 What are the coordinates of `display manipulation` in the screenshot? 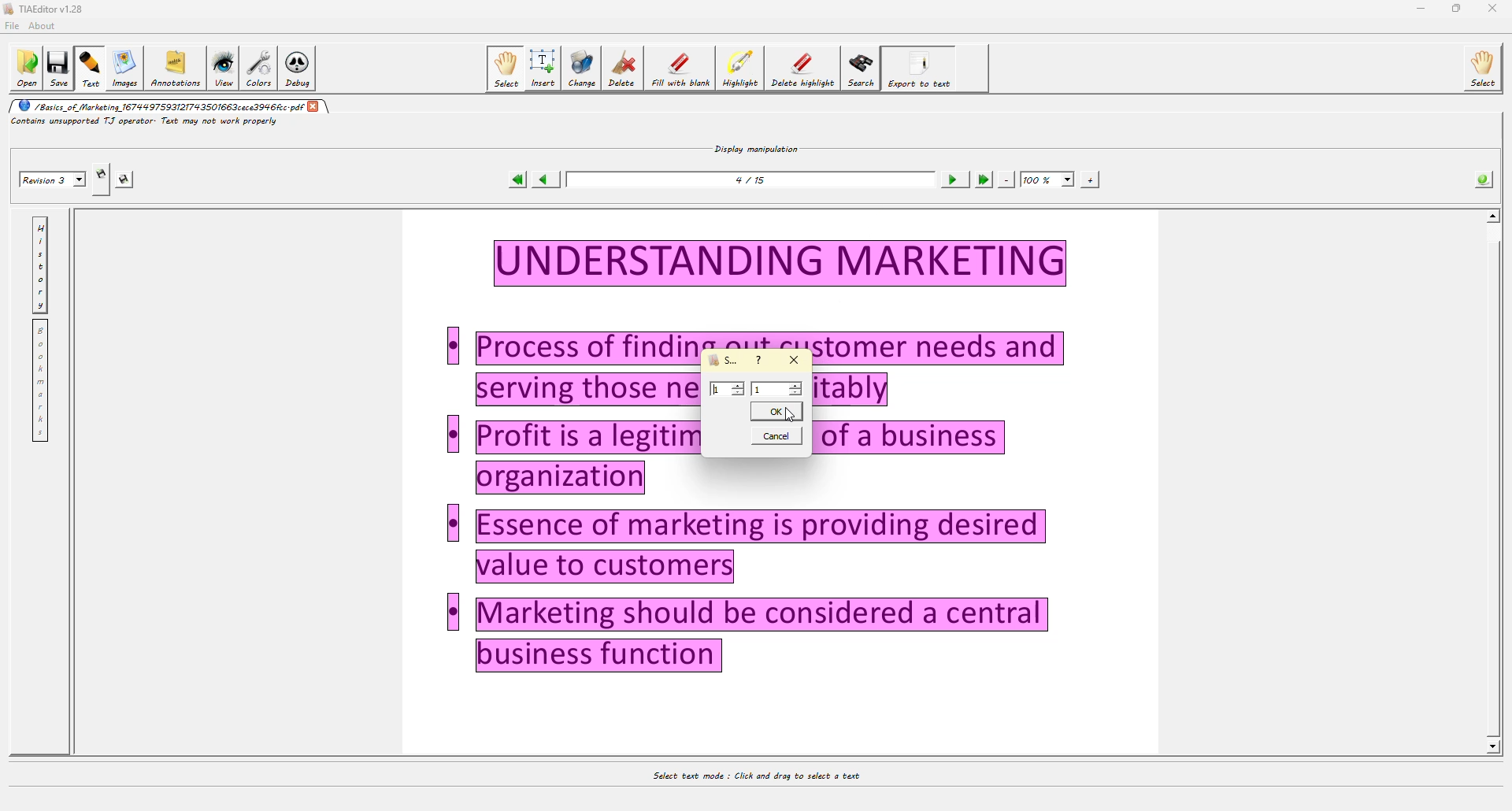 It's located at (754, 146).